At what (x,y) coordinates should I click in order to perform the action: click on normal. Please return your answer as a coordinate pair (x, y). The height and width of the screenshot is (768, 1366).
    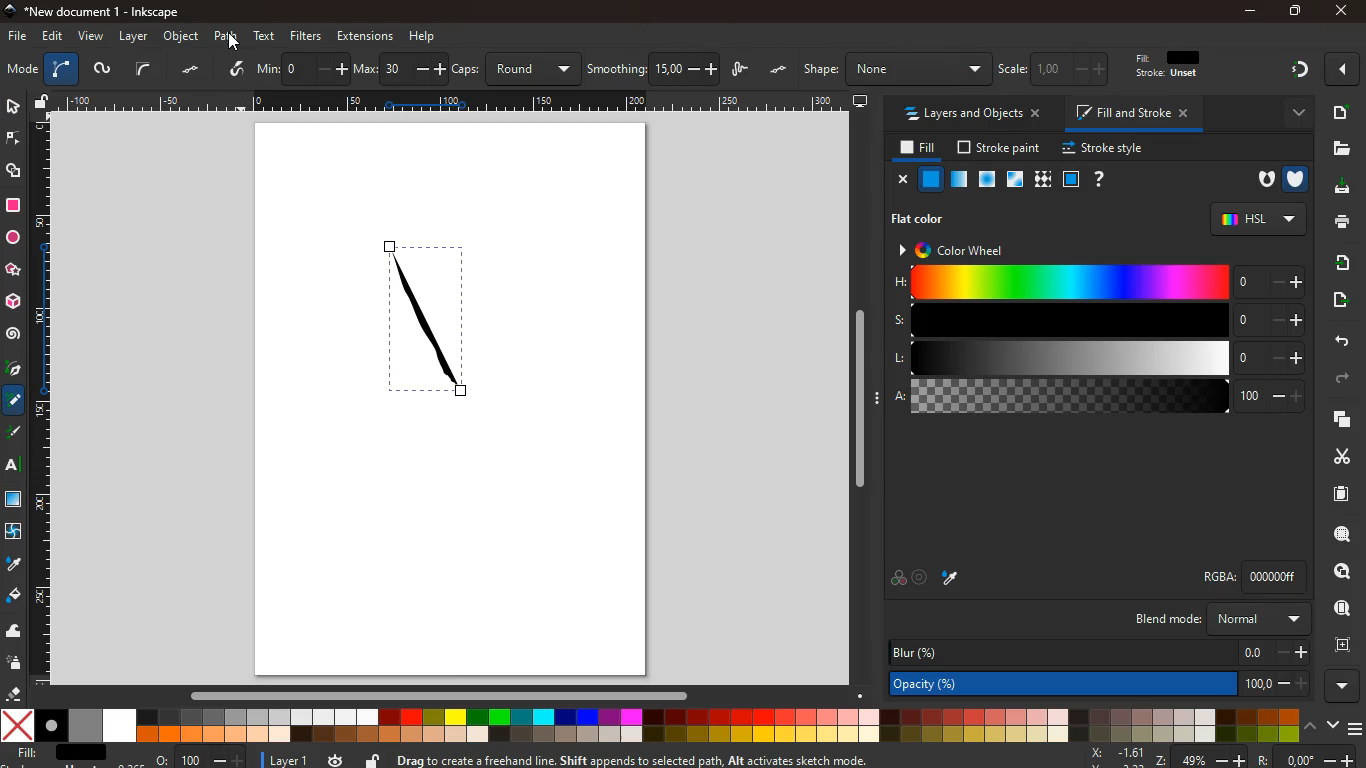
    Looking at the image, I should click on (932, 179).